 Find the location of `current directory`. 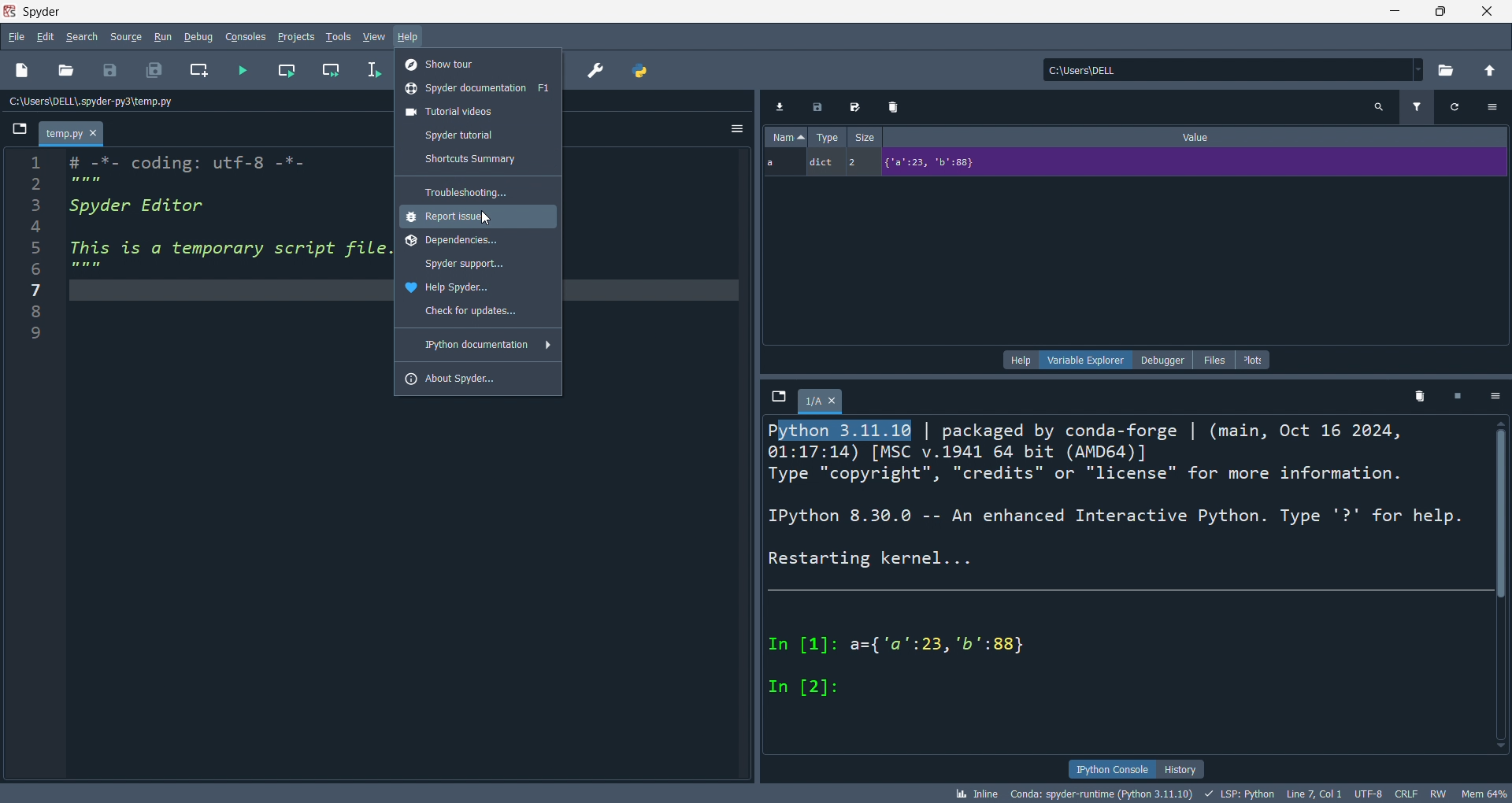

current directory is located at coordinates (1232, 69).